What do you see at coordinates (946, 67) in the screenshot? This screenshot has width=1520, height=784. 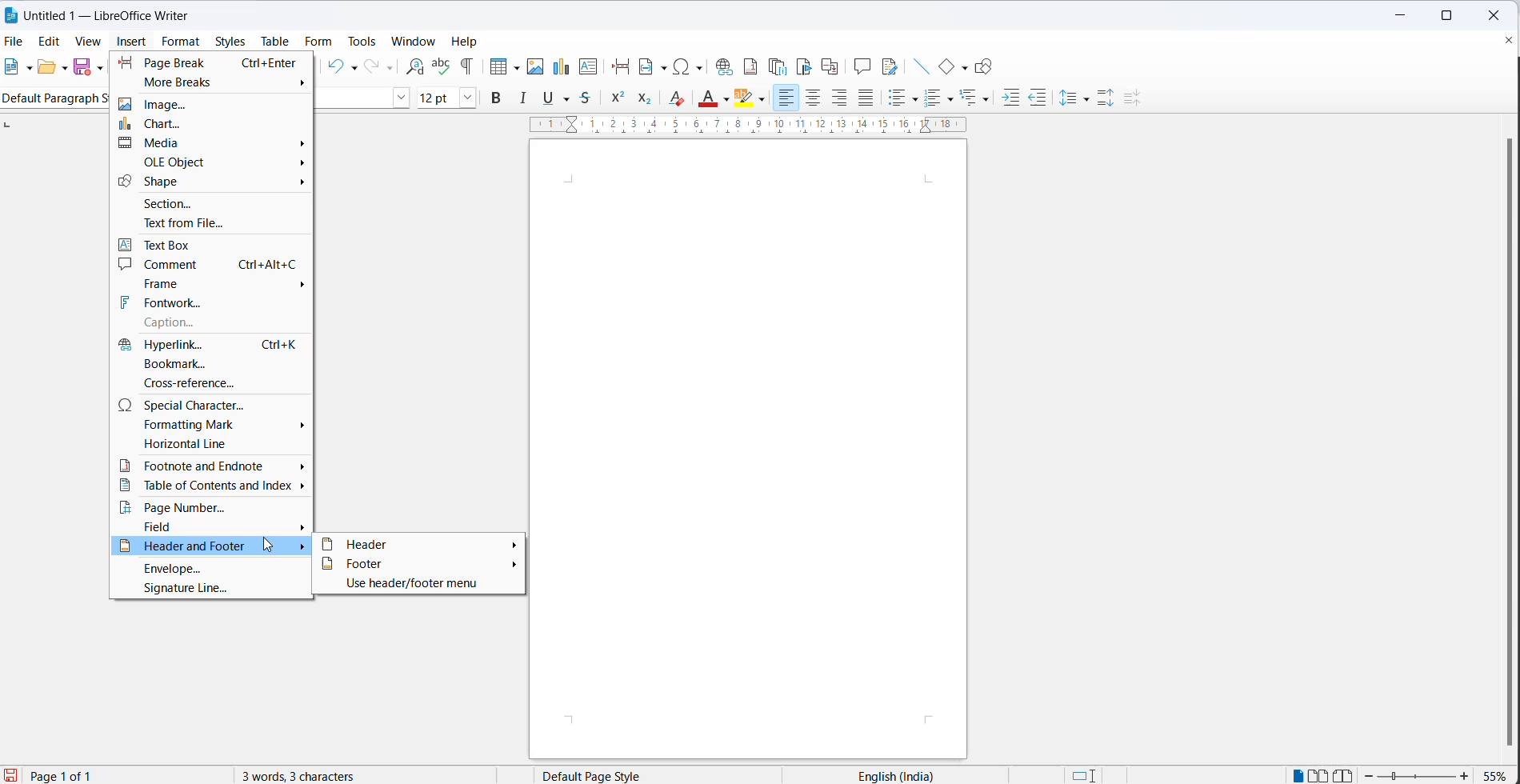 I see `basic shapes` at bounding box center [946, 67].